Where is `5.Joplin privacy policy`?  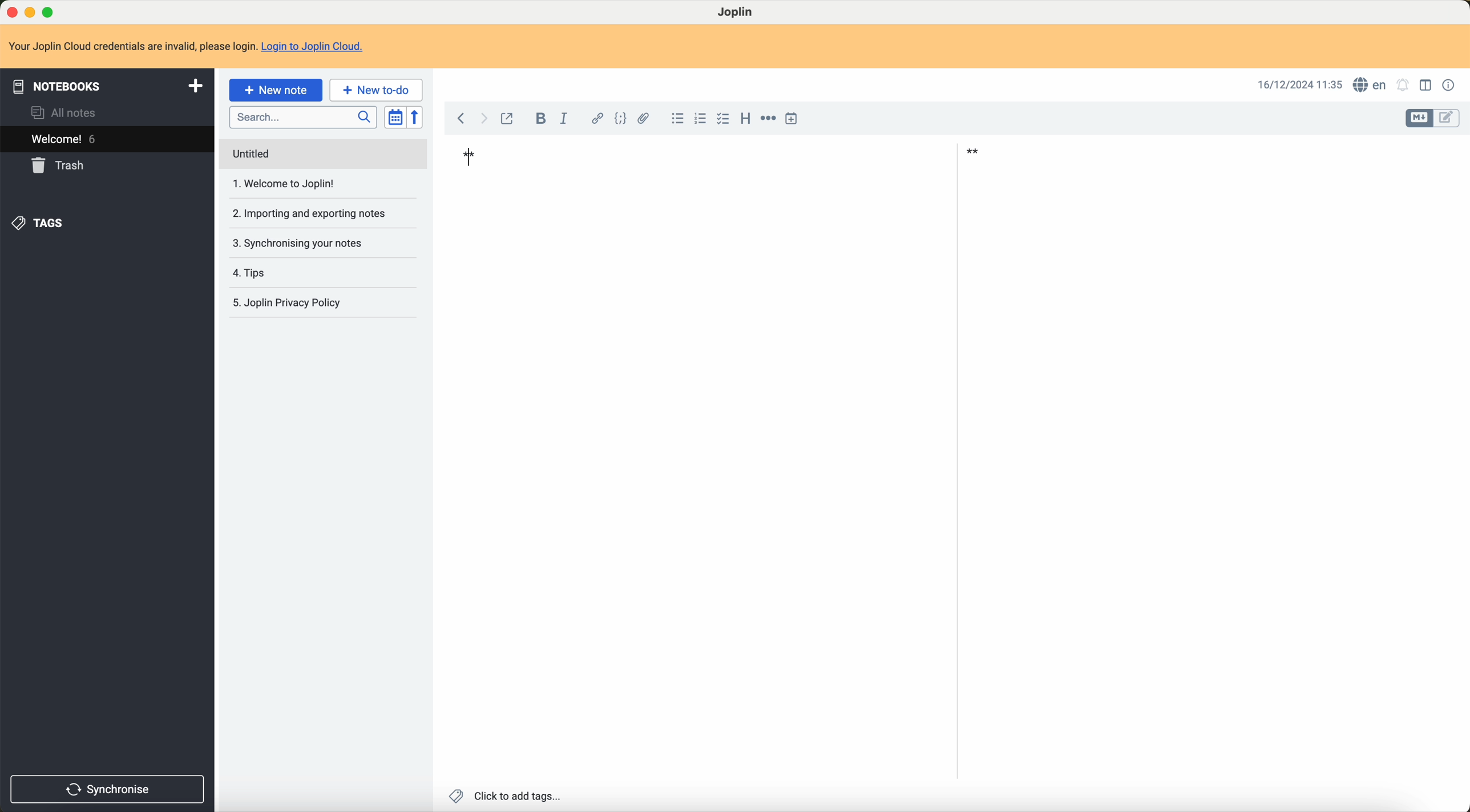 5.Joplin privacy policy is located at coordinates (293, 302).